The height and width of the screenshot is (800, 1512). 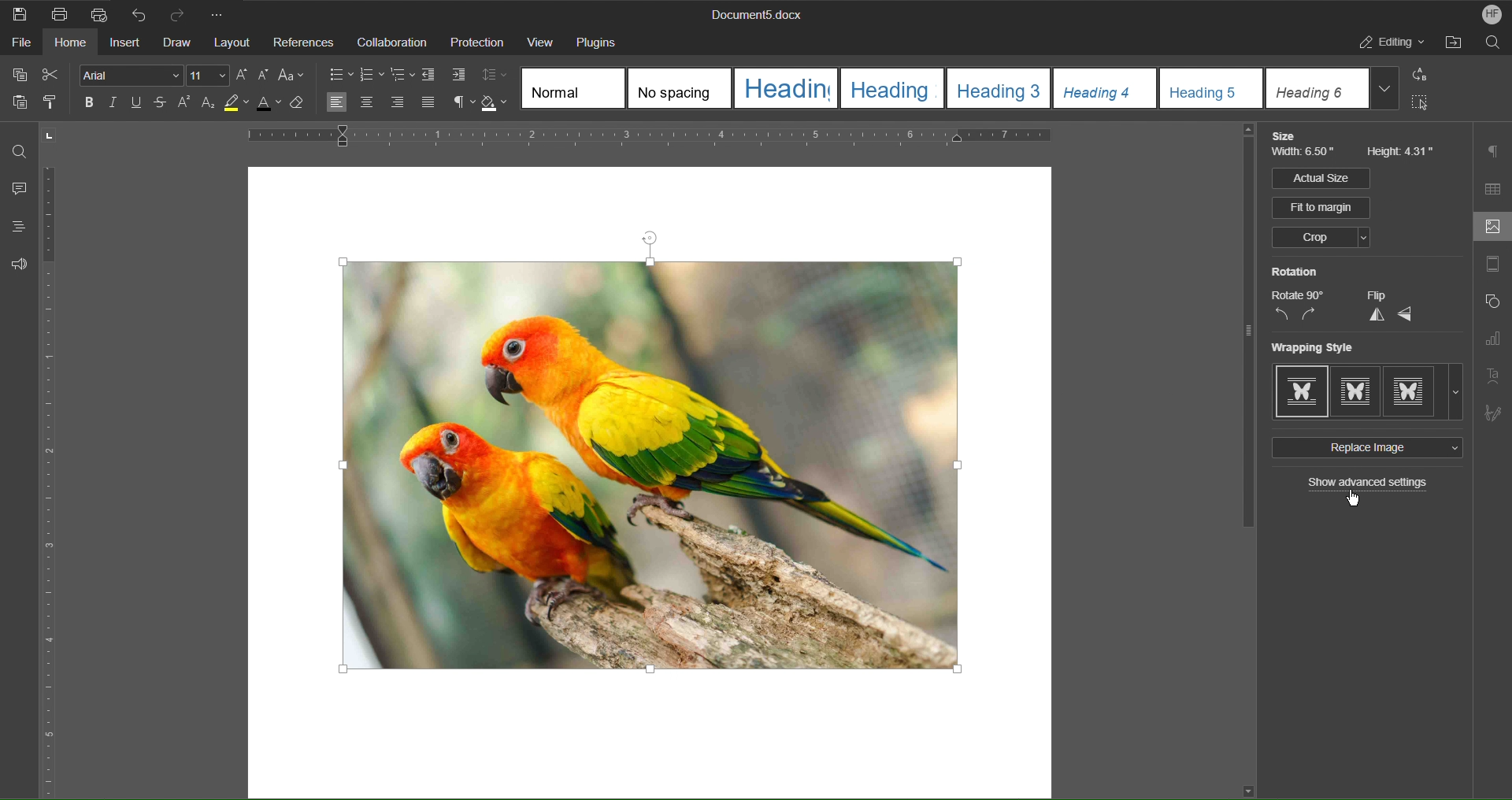 What do you see at coordinates (540, 41) in the screenshot?
I see `View` at bounding box center [540, 41].